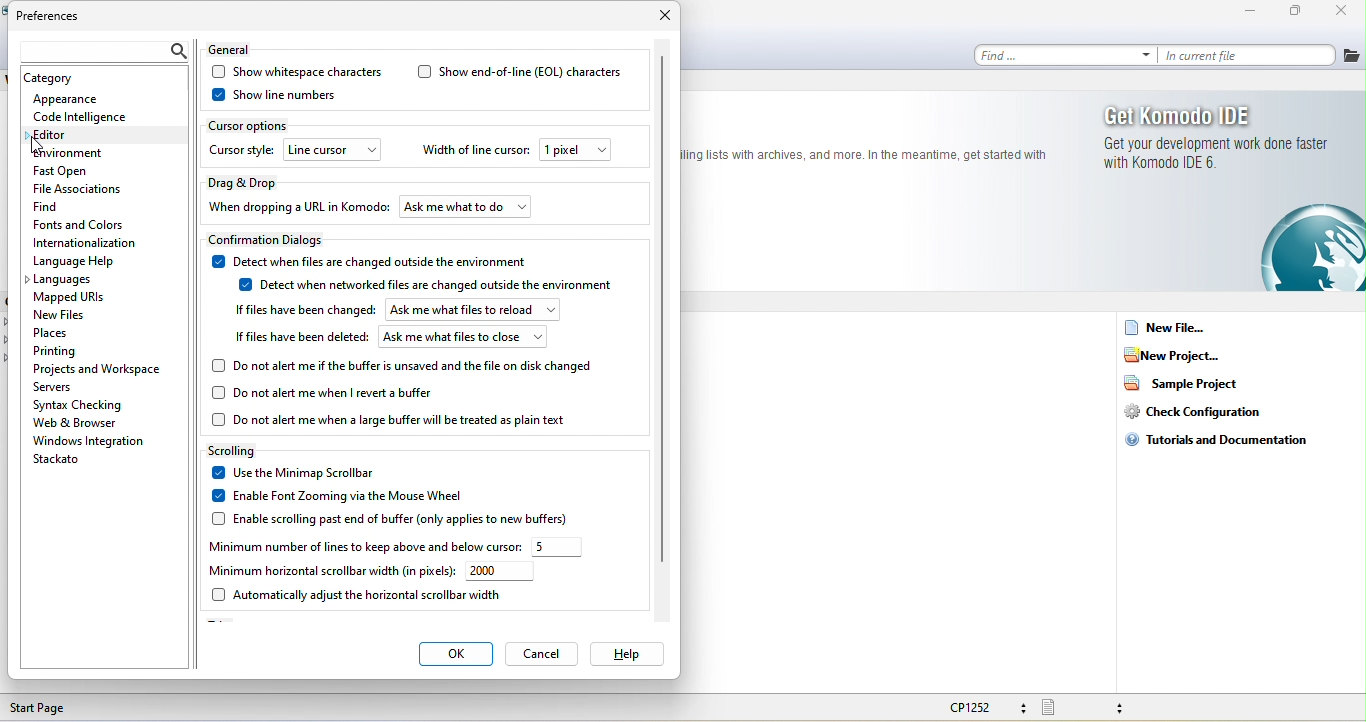  Describe the element at coordinates (333, 151) in the screenshot. I see `line cursor` at that location.